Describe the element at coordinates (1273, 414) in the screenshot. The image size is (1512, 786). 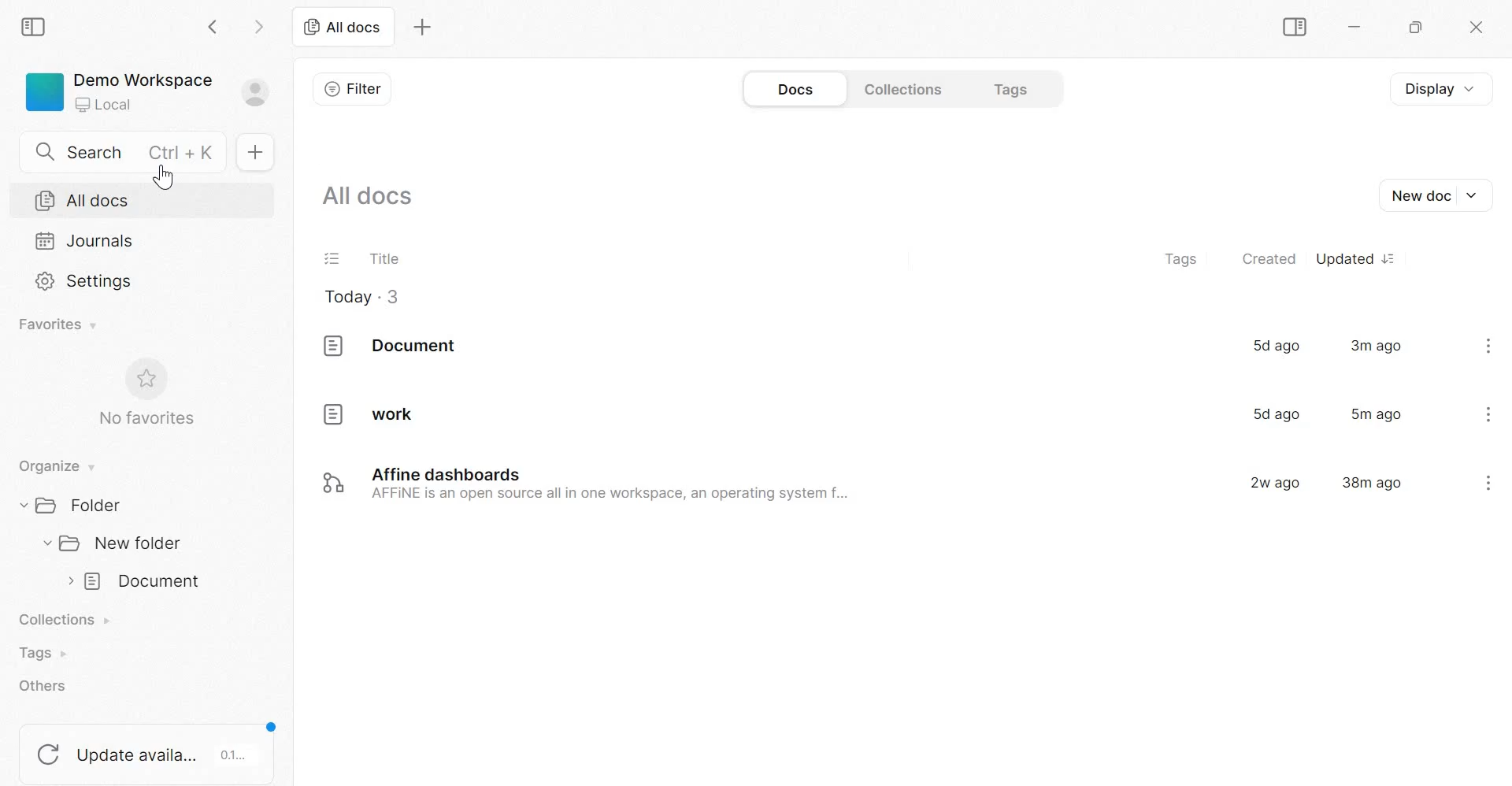
I see `5d ago` at that location.